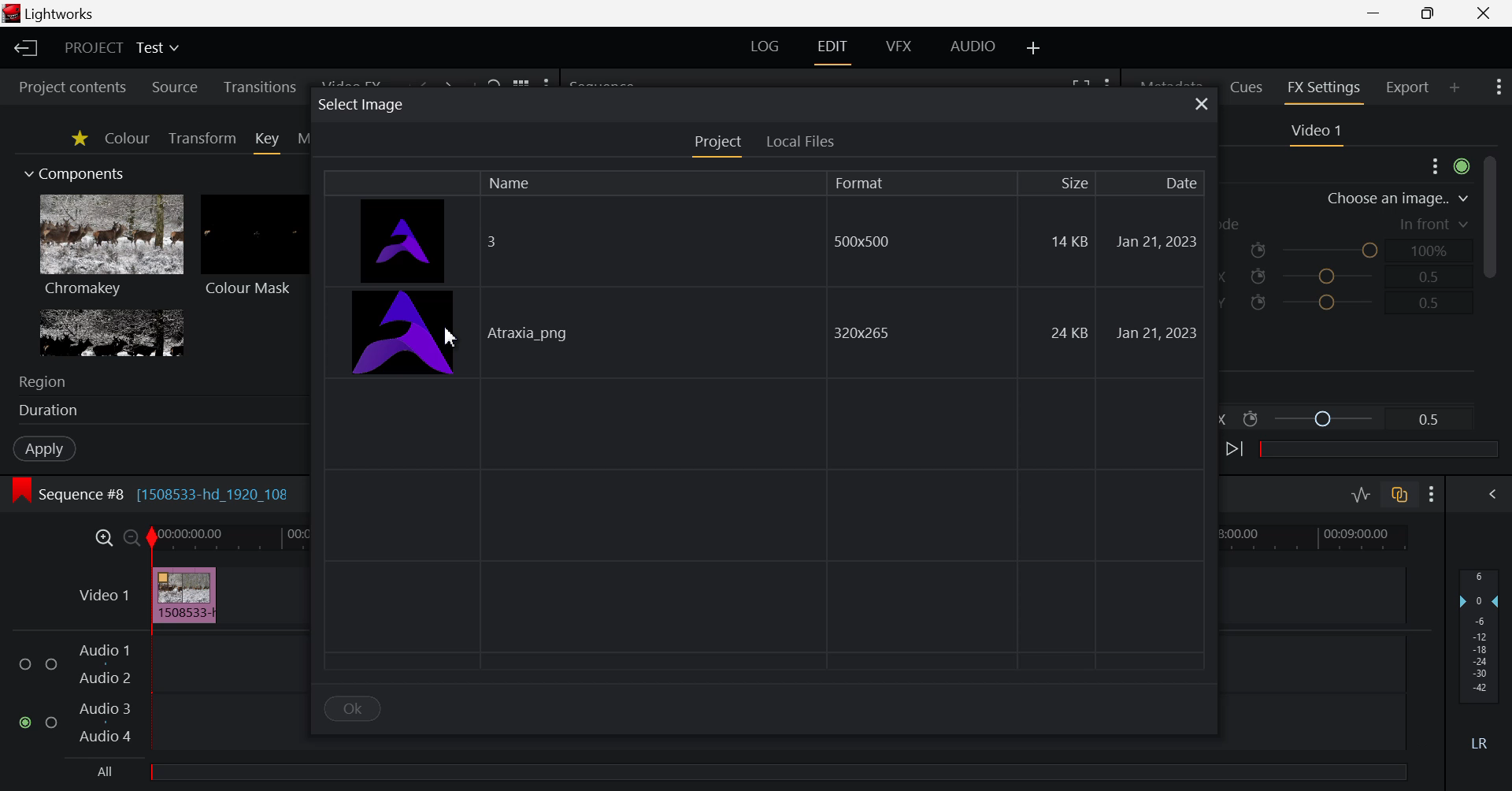 The width and height of the screenshot is (1512, 791). Describe the element at coordinates (1260, 303) in the screenshot. I see `icon` at that location.